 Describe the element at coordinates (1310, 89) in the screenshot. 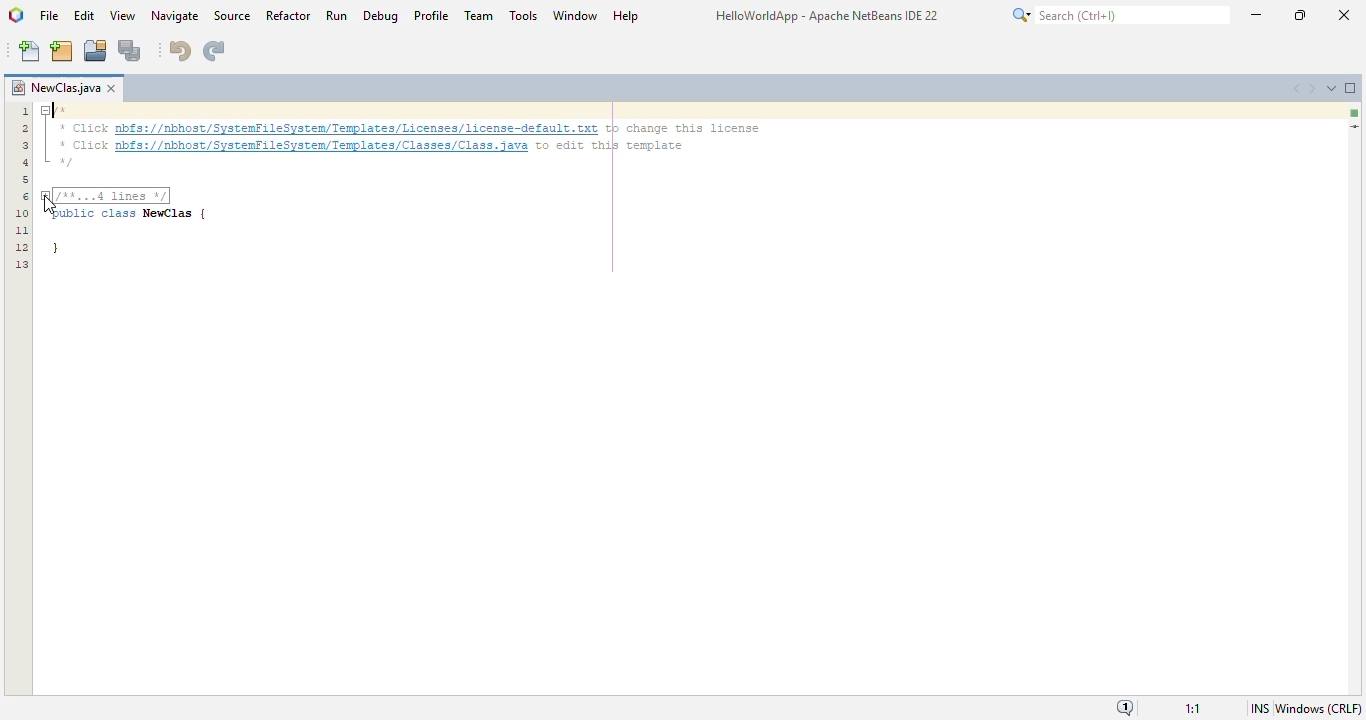

I see `scroll documents right` at that location.